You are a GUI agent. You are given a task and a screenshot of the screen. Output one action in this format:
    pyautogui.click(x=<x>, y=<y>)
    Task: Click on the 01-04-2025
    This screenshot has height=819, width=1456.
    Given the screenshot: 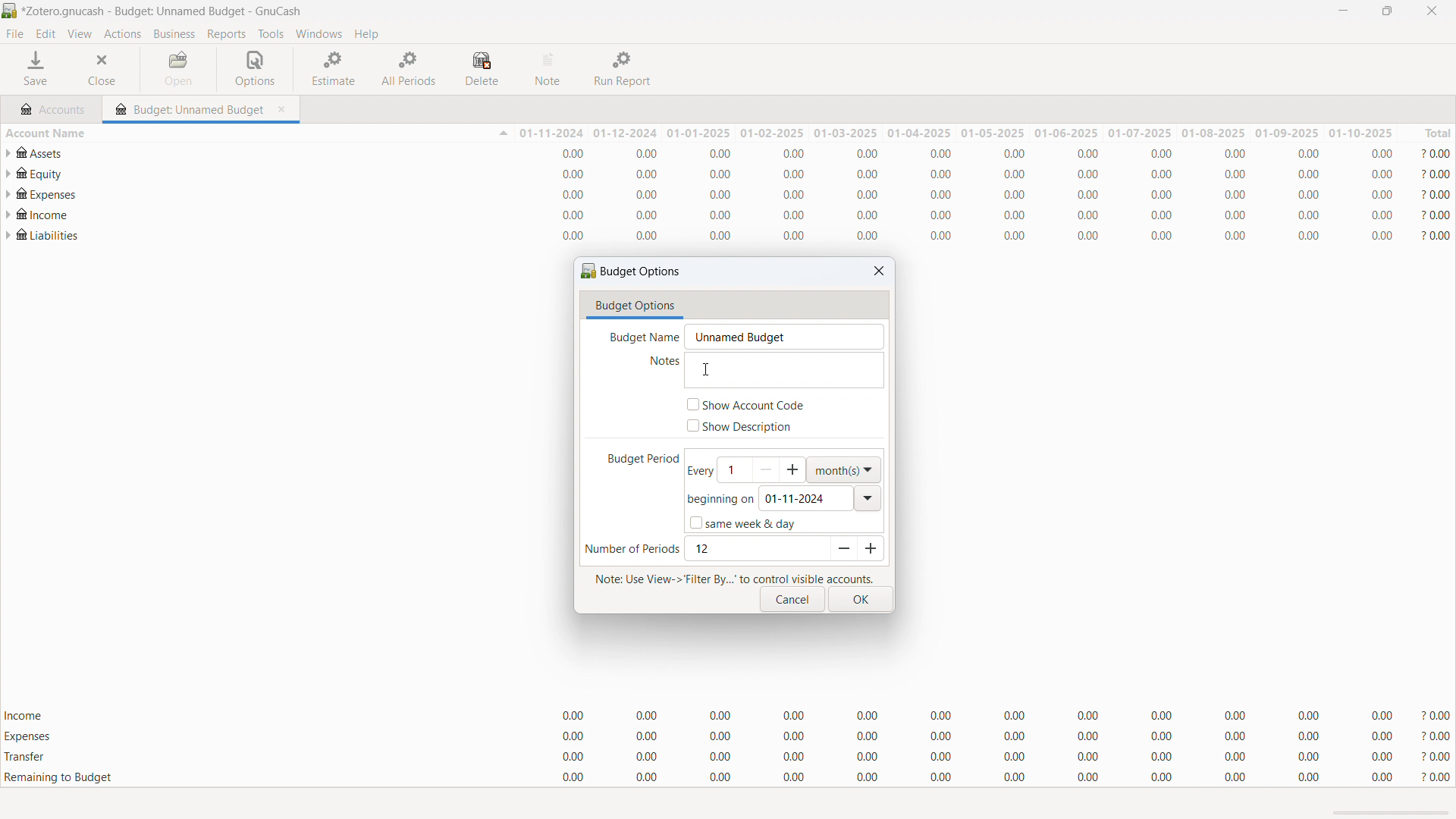 What is the action you would take?
    pyautogui.click(x=916, y=133)
    